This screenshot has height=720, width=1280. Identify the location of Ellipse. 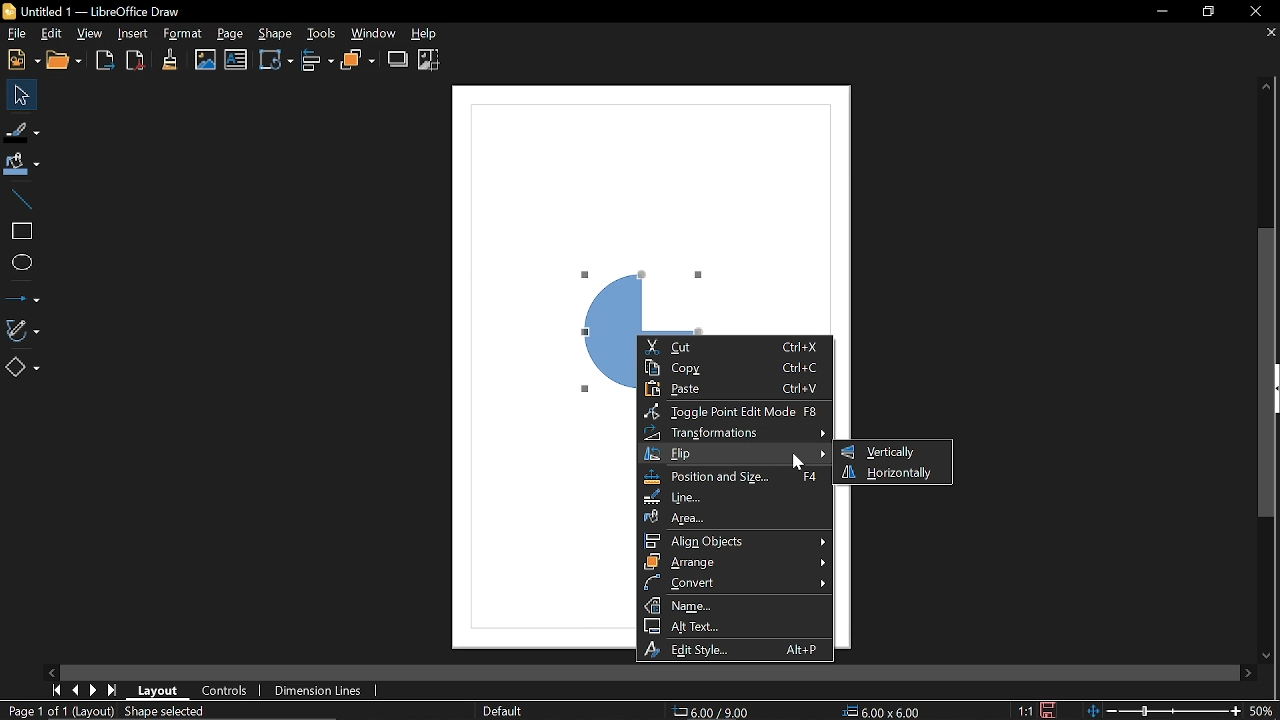
(25, 261).